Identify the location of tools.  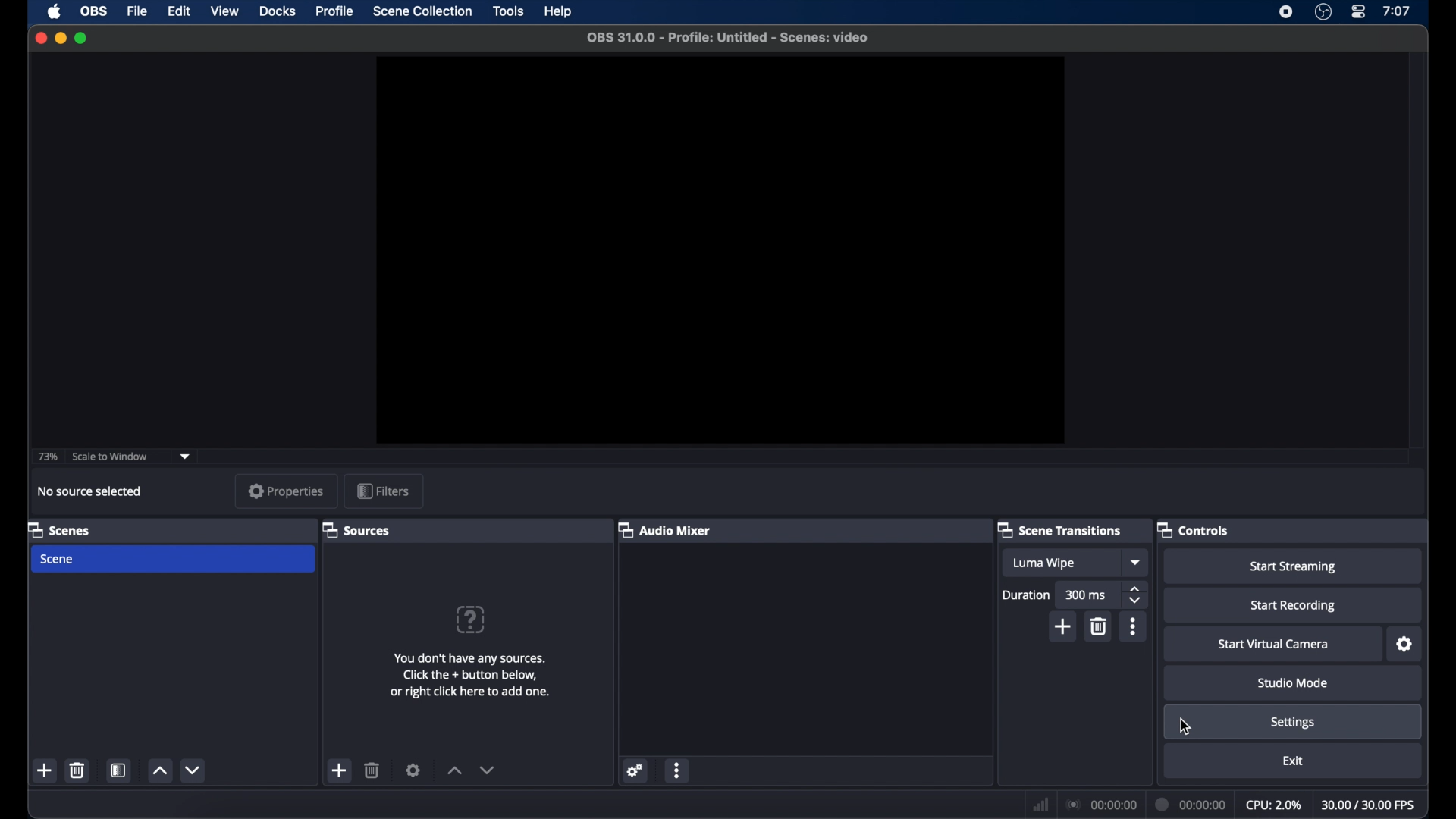
(508, 11).